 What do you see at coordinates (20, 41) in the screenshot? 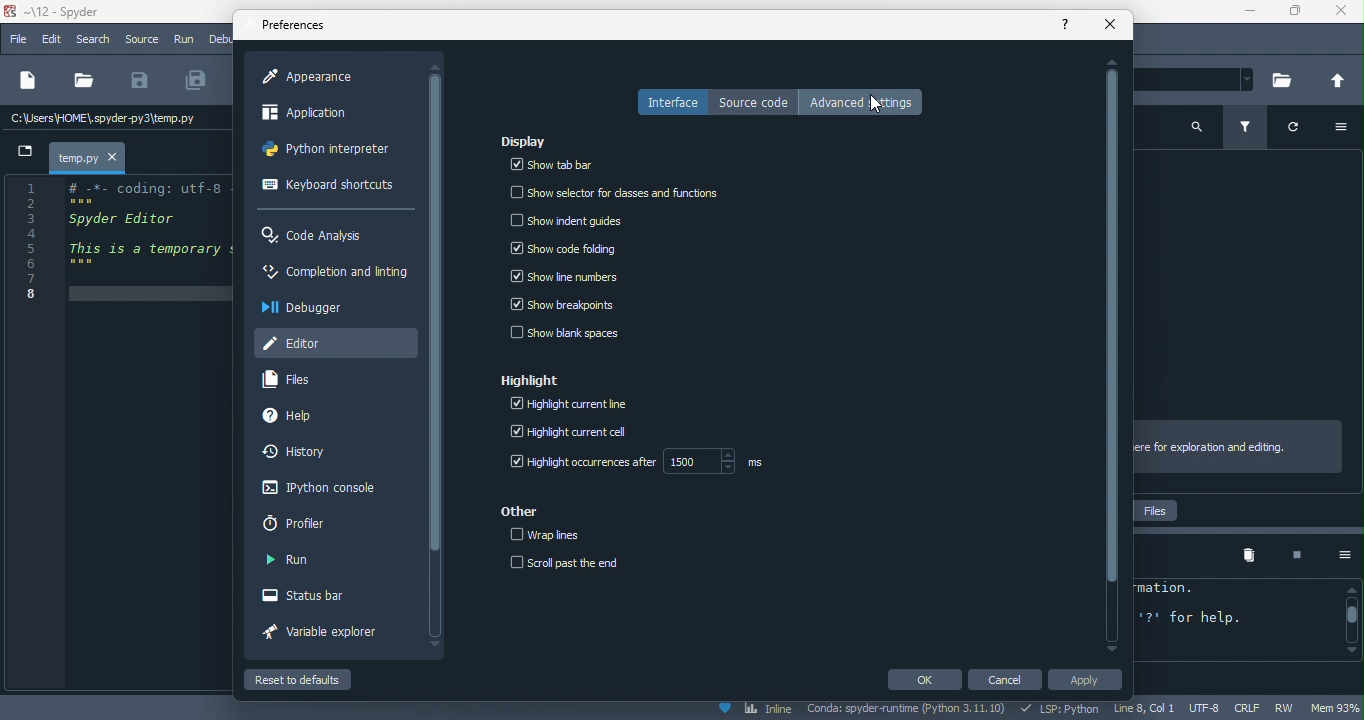
I see `file` at bounding box center [20, 41].